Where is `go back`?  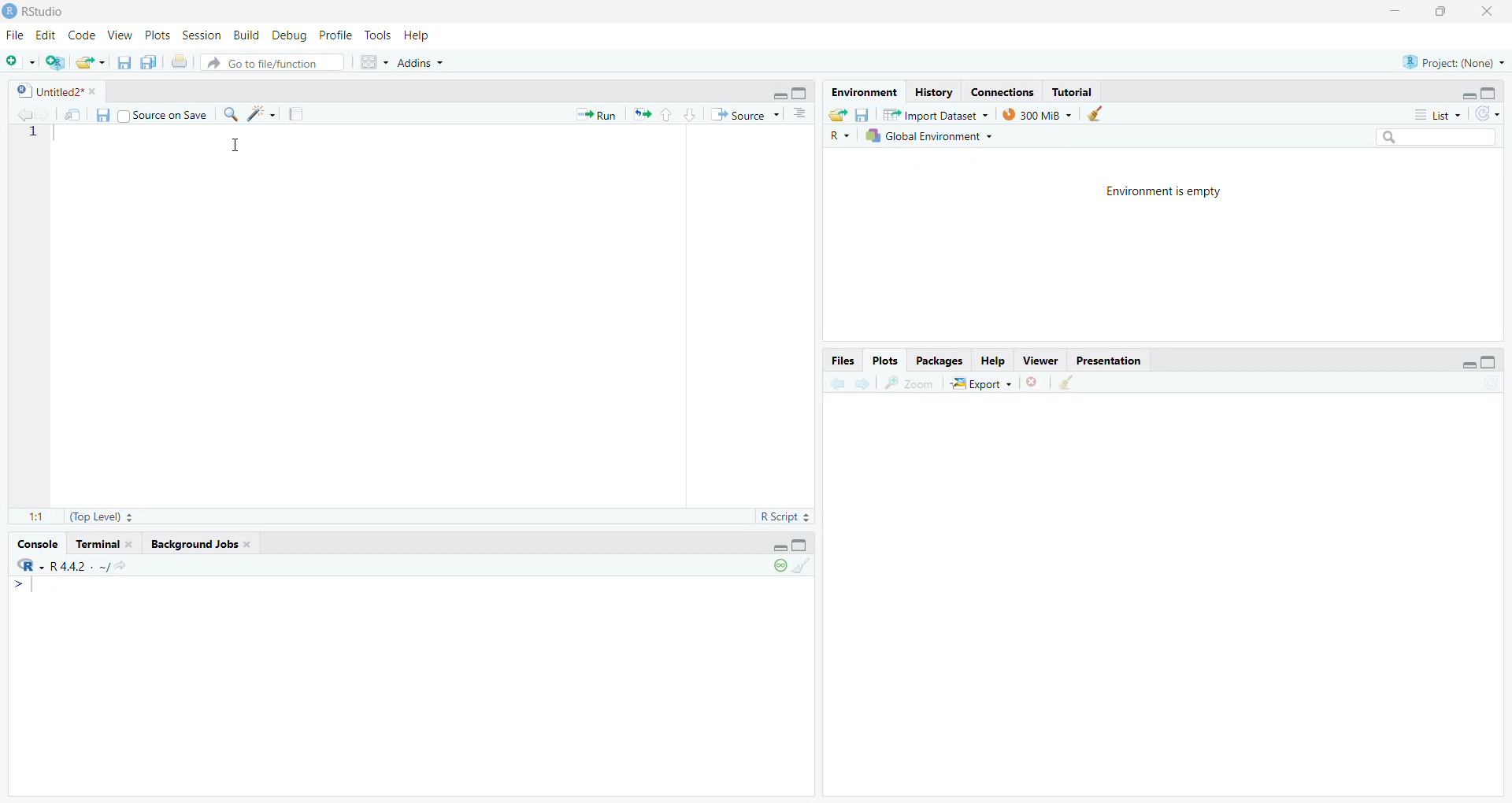
go back is located at coordinates (832, 383).